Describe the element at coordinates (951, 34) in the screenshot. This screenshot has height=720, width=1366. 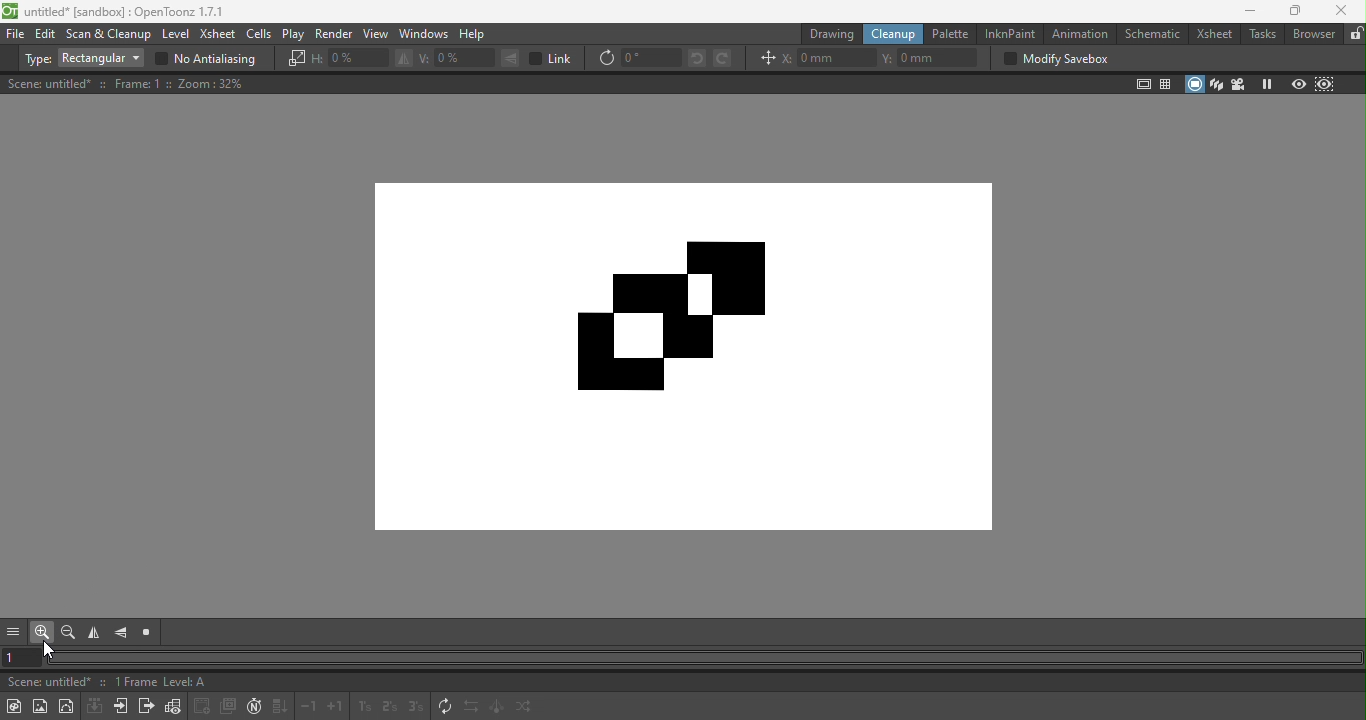
I see `Palette` at that location.